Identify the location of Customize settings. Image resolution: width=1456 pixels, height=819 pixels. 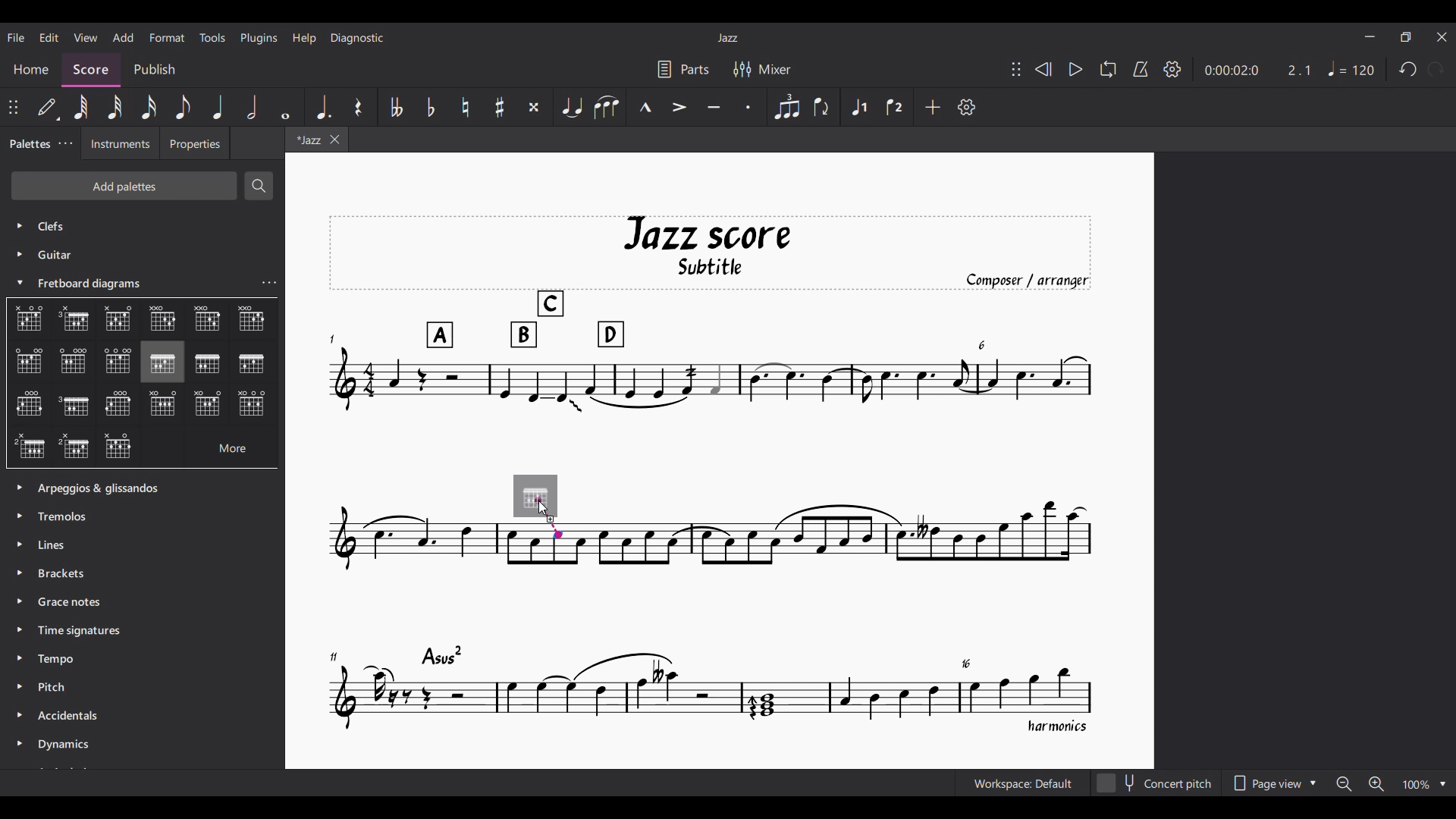
(967, 107).